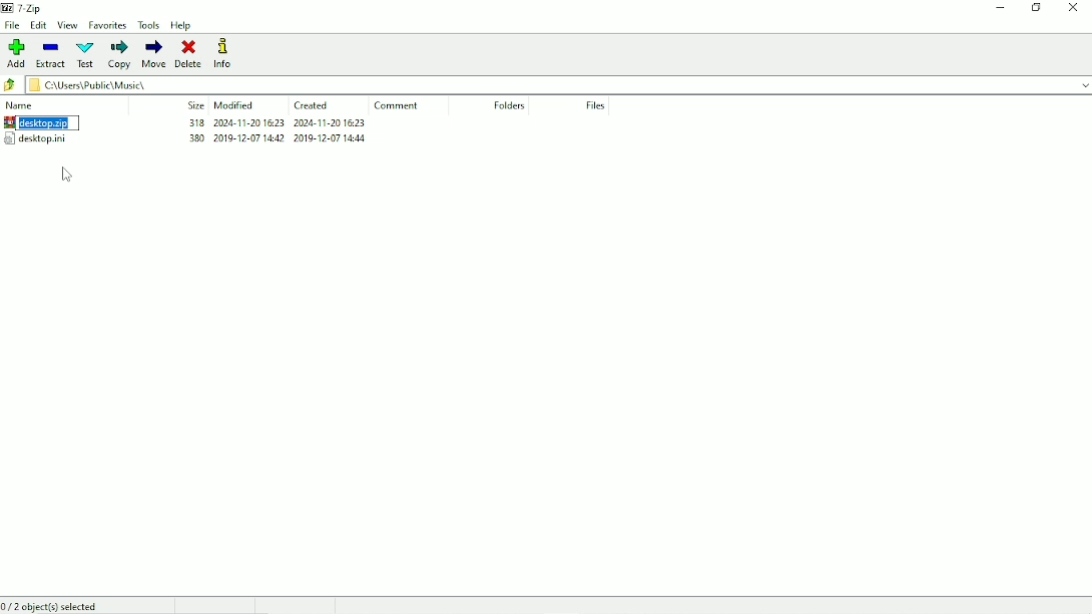  What do you see at coordinates (1037, 7) in the screenshot?
I see `Restore down` at bounding box center [1037, 7].